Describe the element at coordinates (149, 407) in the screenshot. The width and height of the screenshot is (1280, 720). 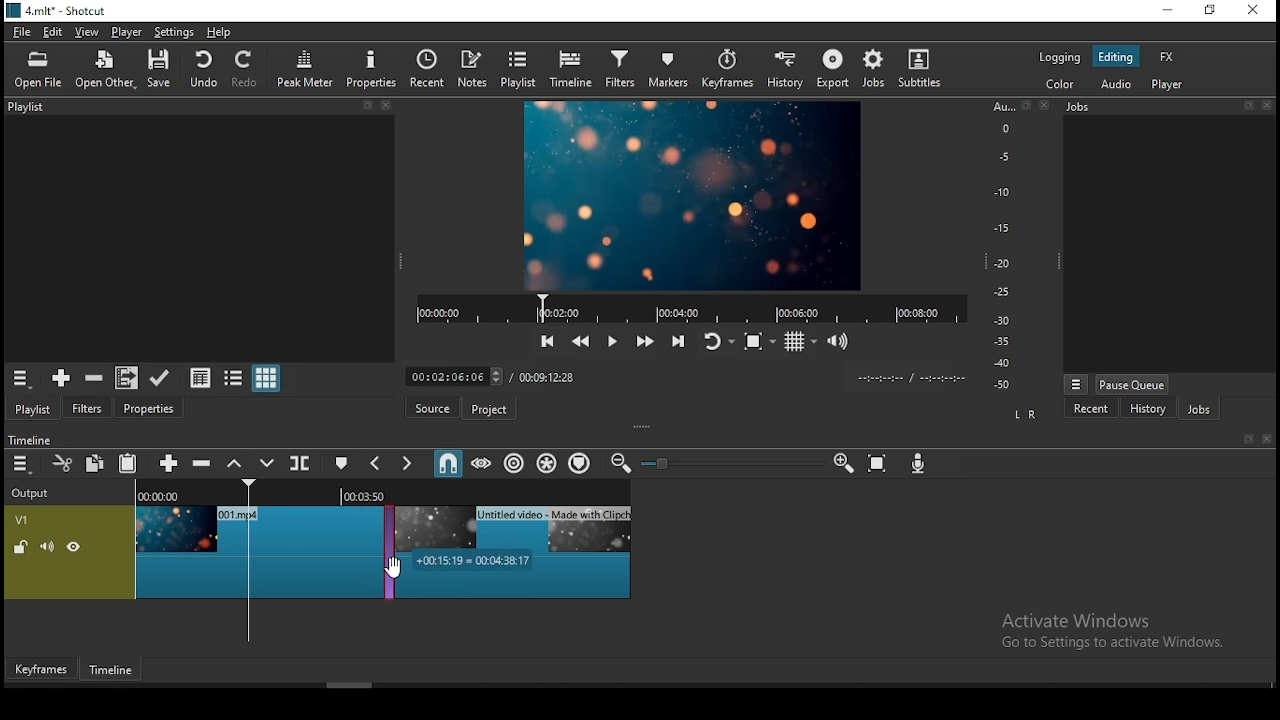
I see `properties` at that location.